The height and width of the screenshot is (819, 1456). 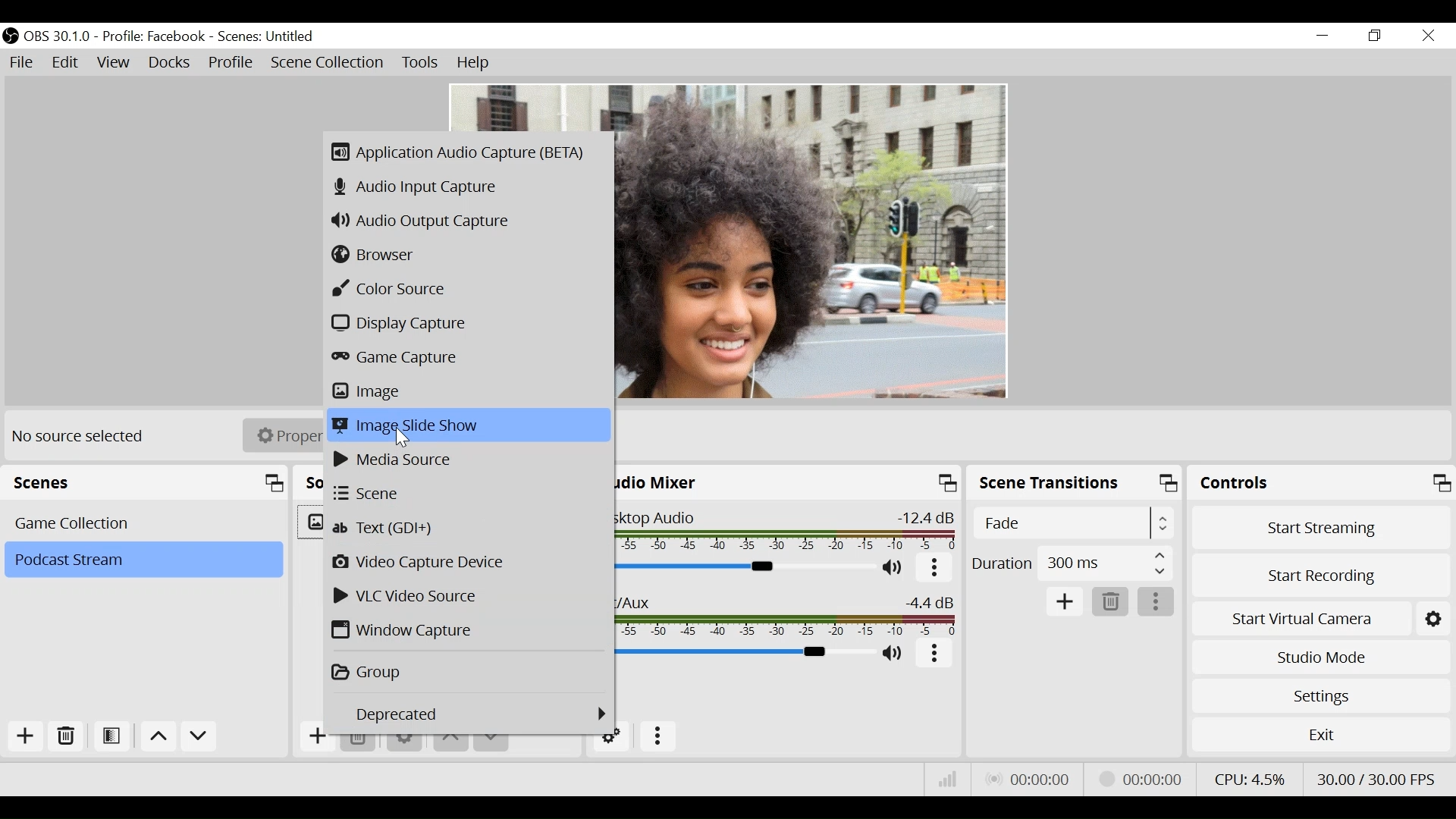 What do you see at coordinates (60, 36) in the screenshot?
I see `OBS Version` at bounding box center [60, 36].